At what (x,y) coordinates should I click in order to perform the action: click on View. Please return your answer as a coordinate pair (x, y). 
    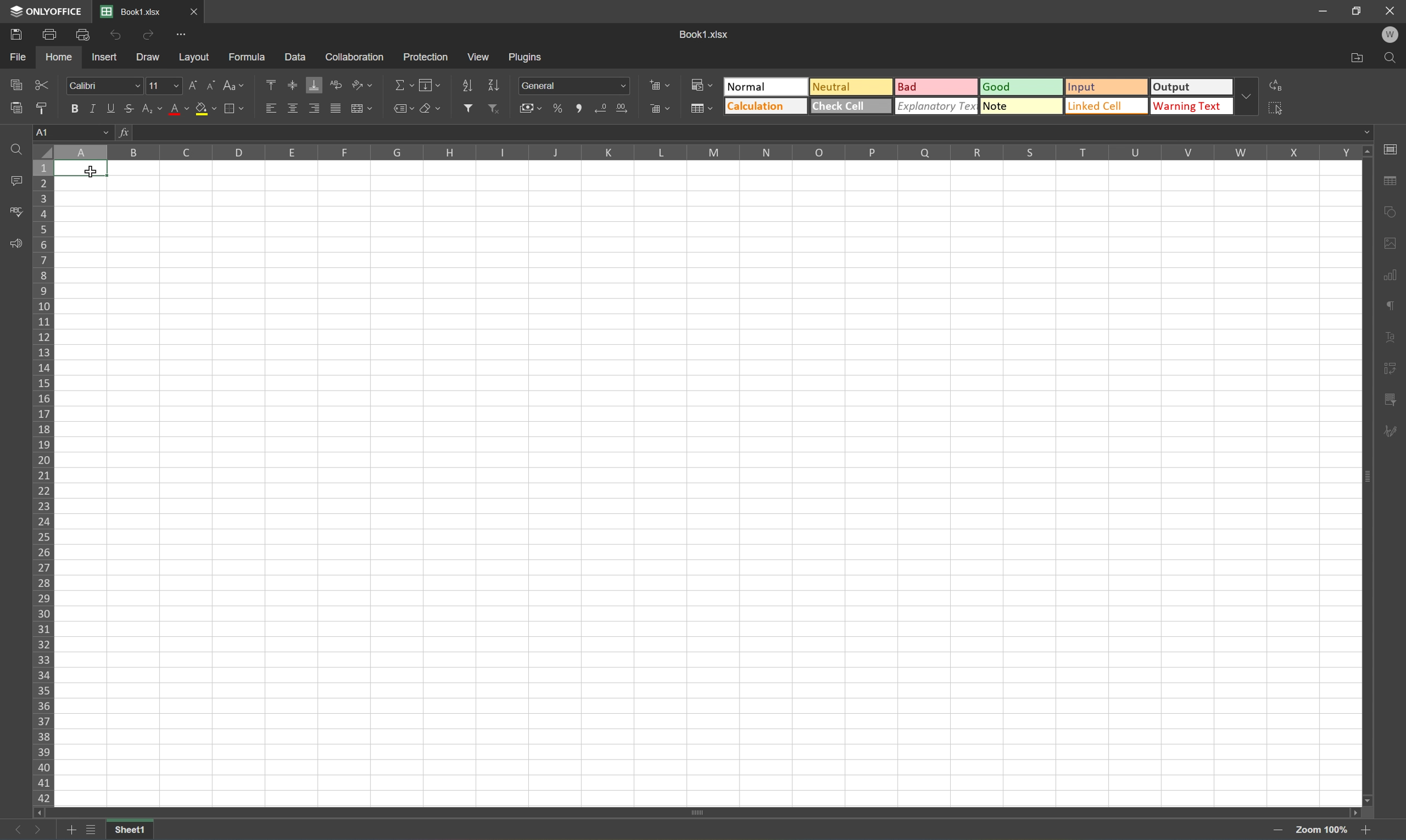
    Looking at the image, I should click on (480, 55).